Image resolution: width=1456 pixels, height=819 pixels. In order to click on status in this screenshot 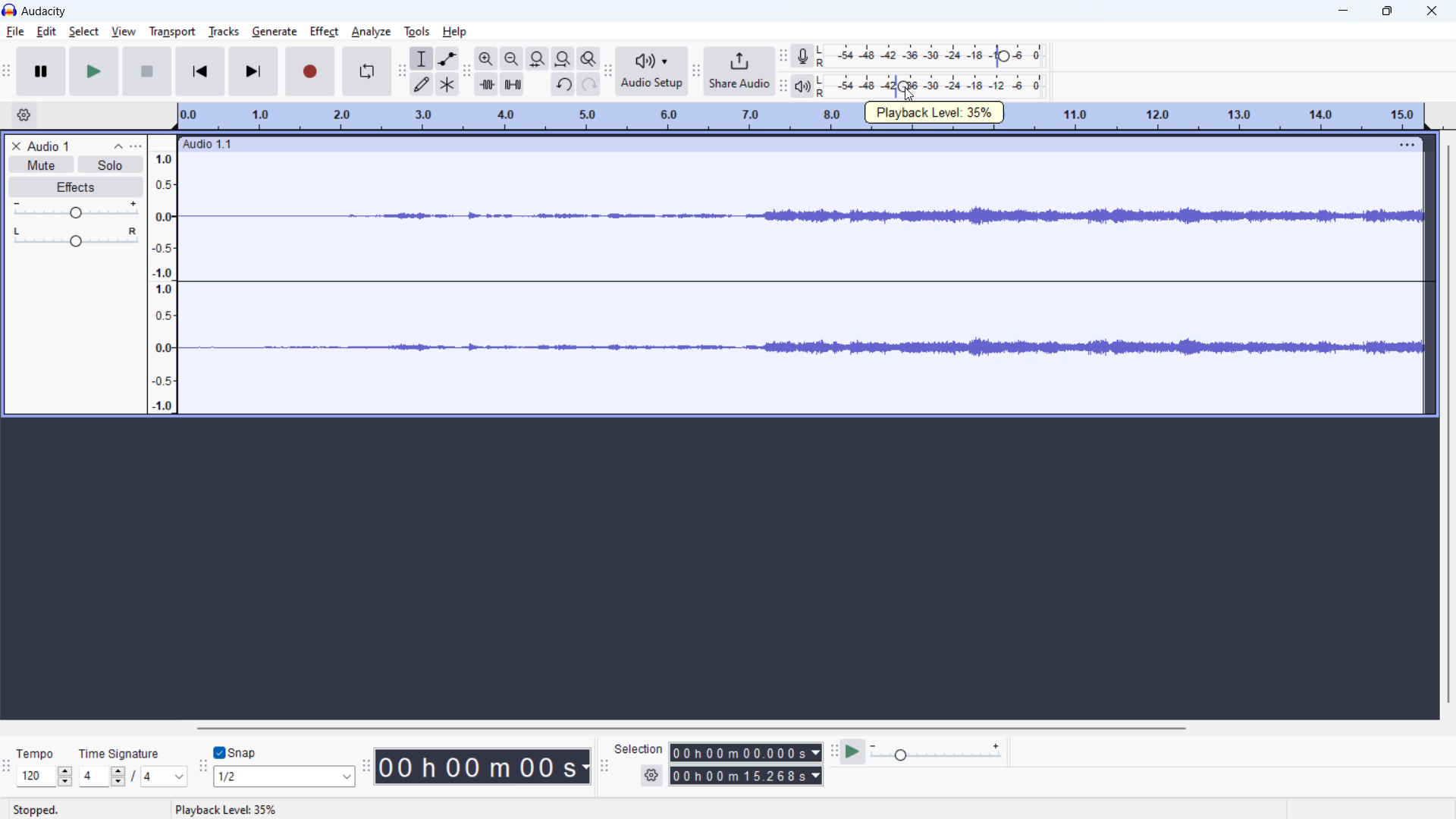, I will do `click(225, 809)`.